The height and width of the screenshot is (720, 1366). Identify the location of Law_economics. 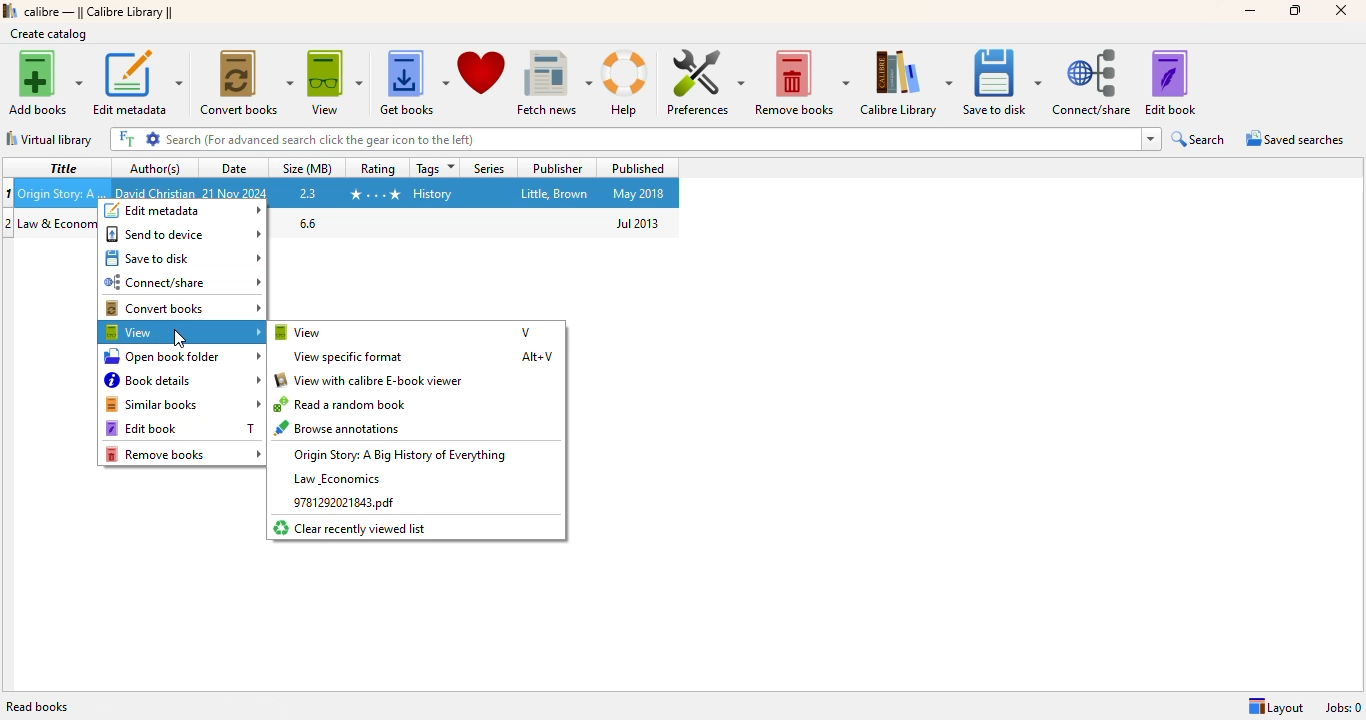
(335, 478).